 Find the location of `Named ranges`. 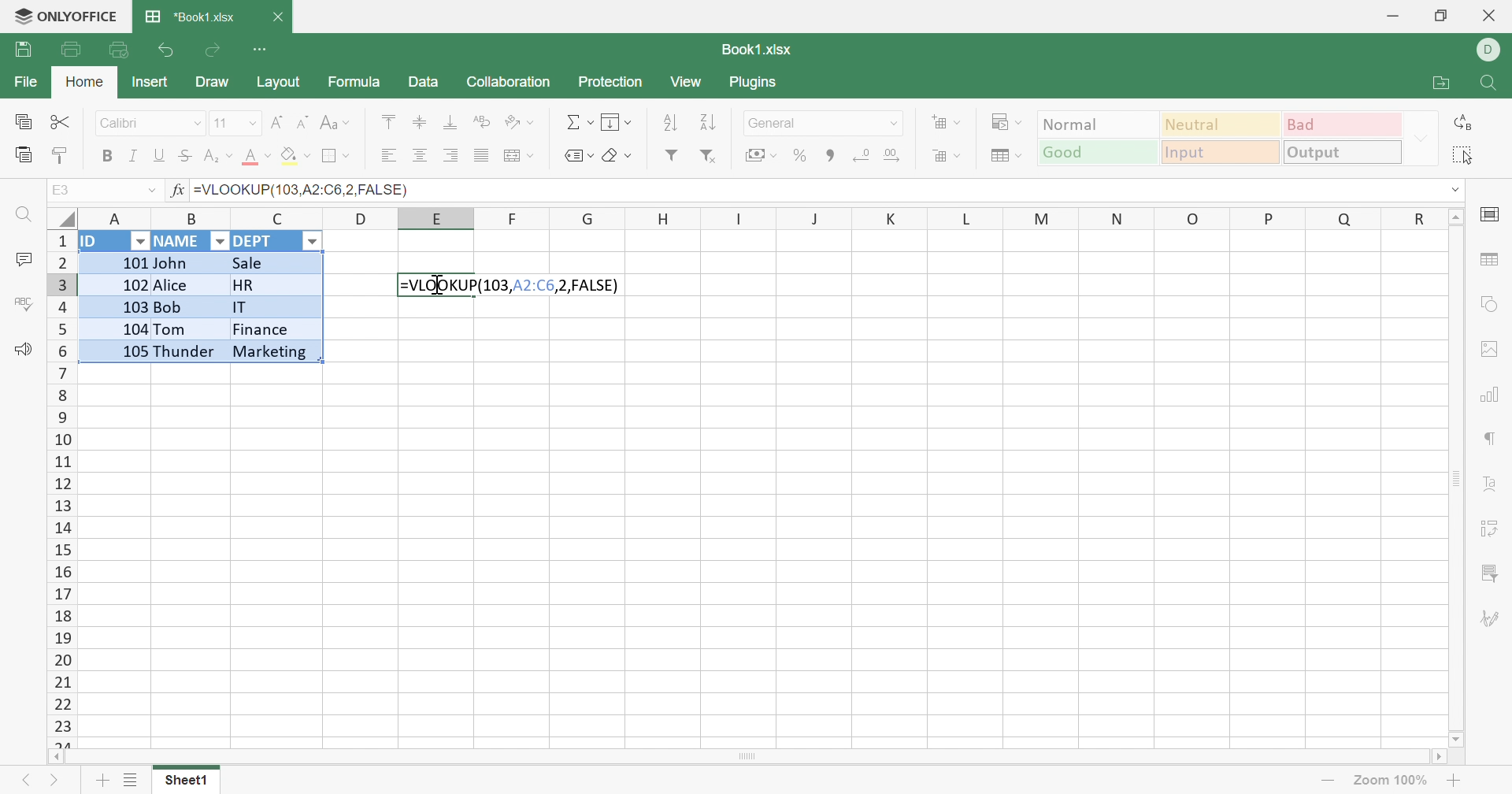

Named ranges is located at coordinates (576, 156).